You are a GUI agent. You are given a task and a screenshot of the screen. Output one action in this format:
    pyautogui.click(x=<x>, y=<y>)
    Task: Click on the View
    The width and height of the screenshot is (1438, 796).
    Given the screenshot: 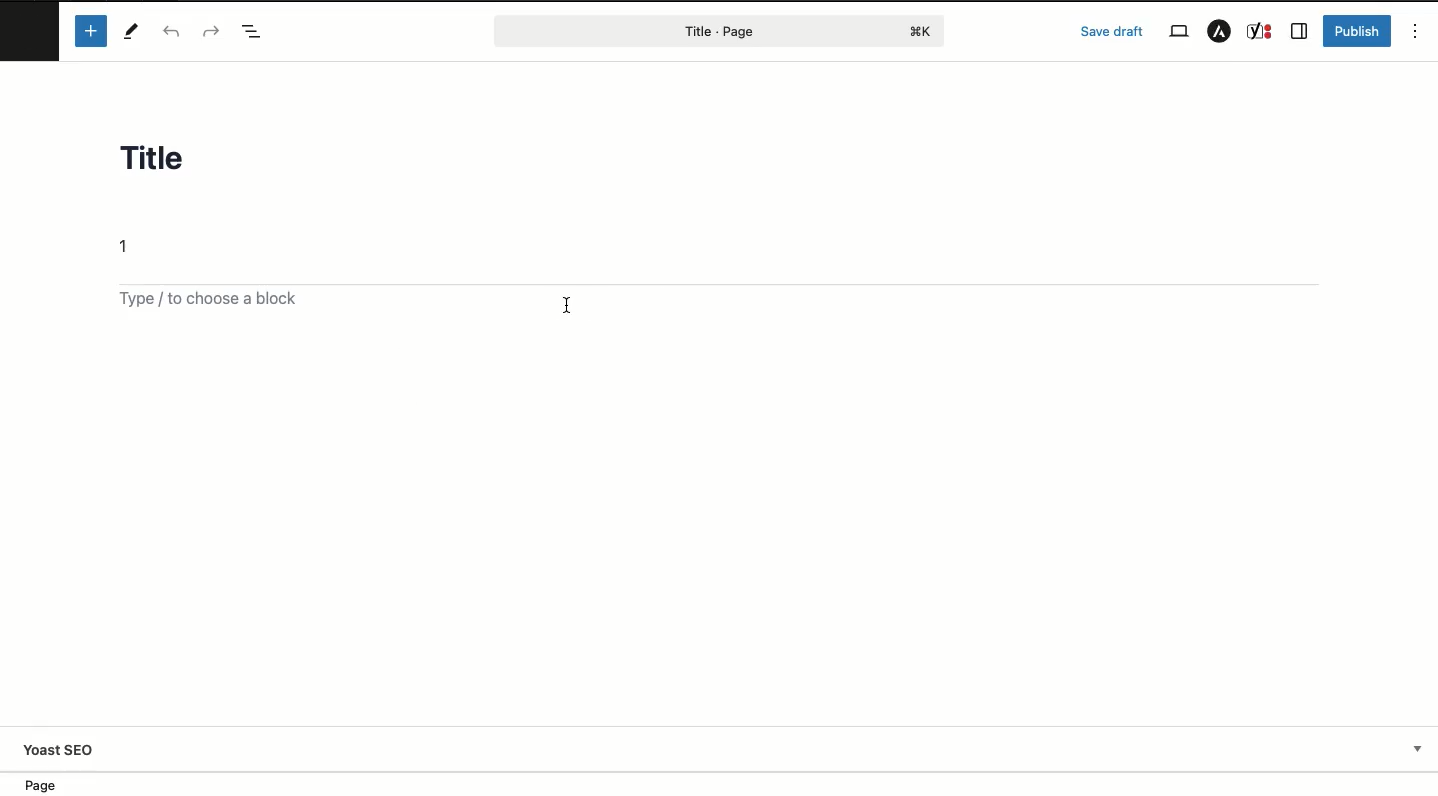 What is the action you would take?
    pyautogui.click(x=1178, y=32)
    